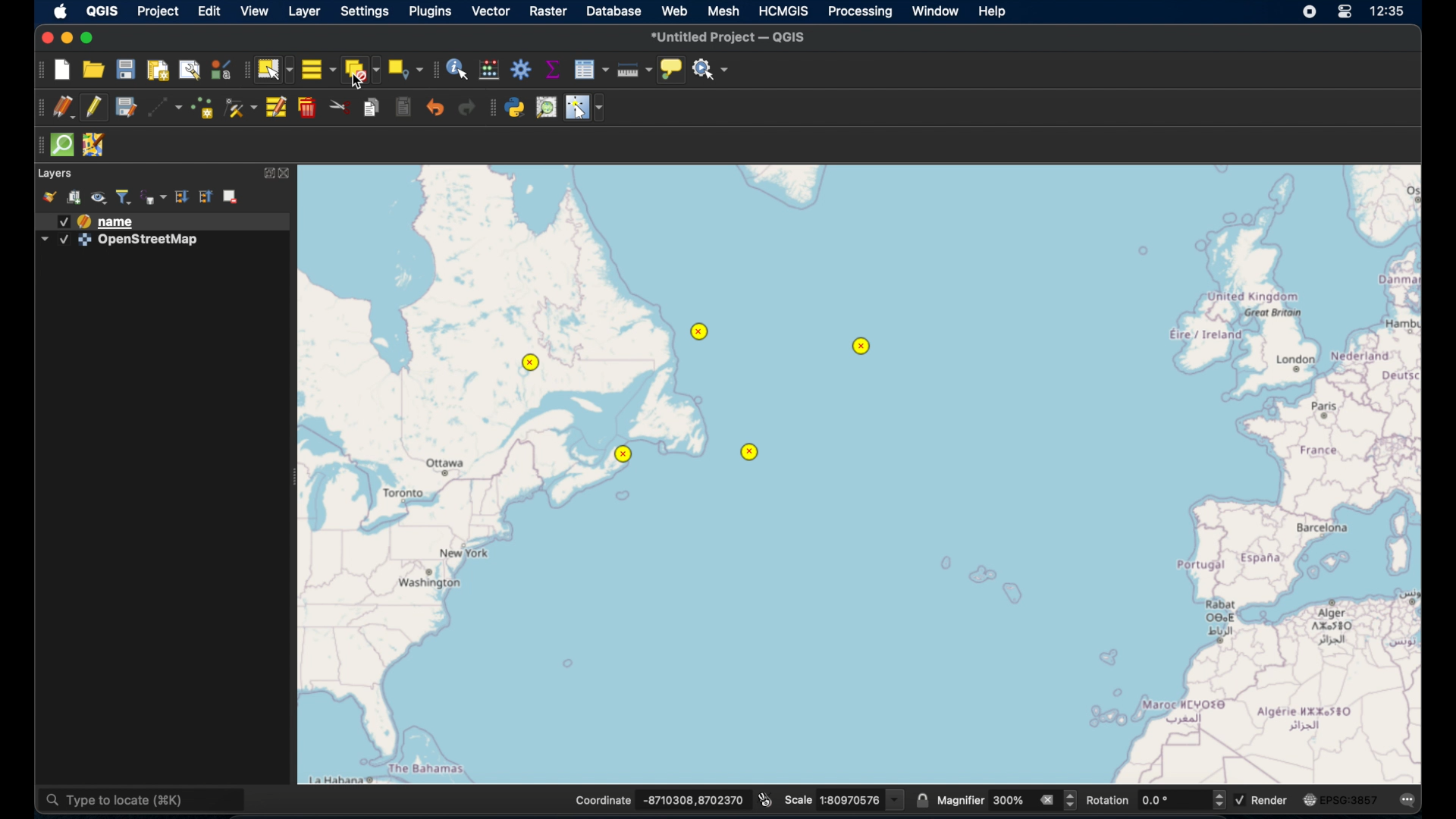 The width and height of the screenshot is (1456, 819). I want to click on modify attributes, so click(278, 108).